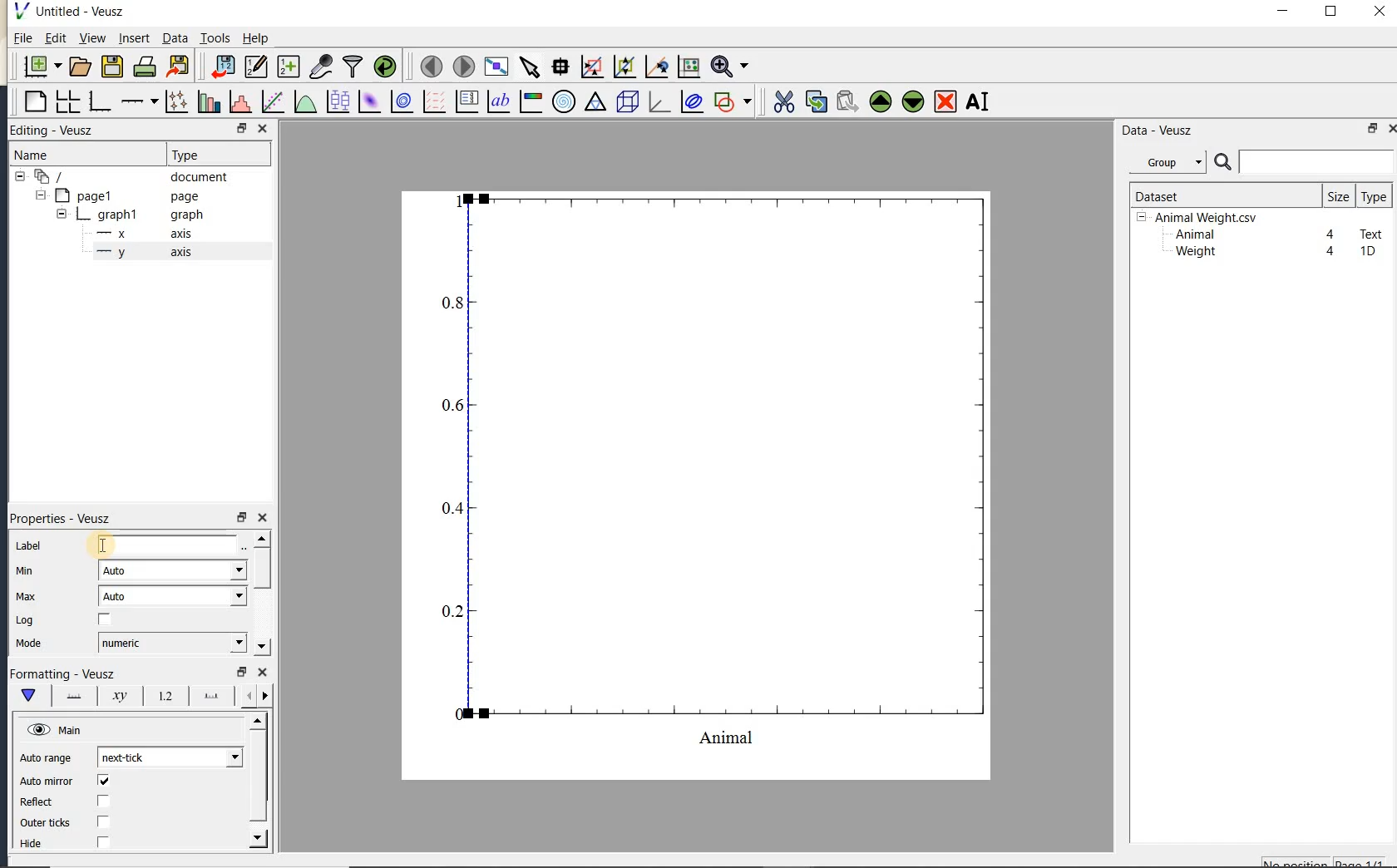  Describe the element at coordinates (255, 67) in the screenshot. I see `edit and enter new datasets` at that location.